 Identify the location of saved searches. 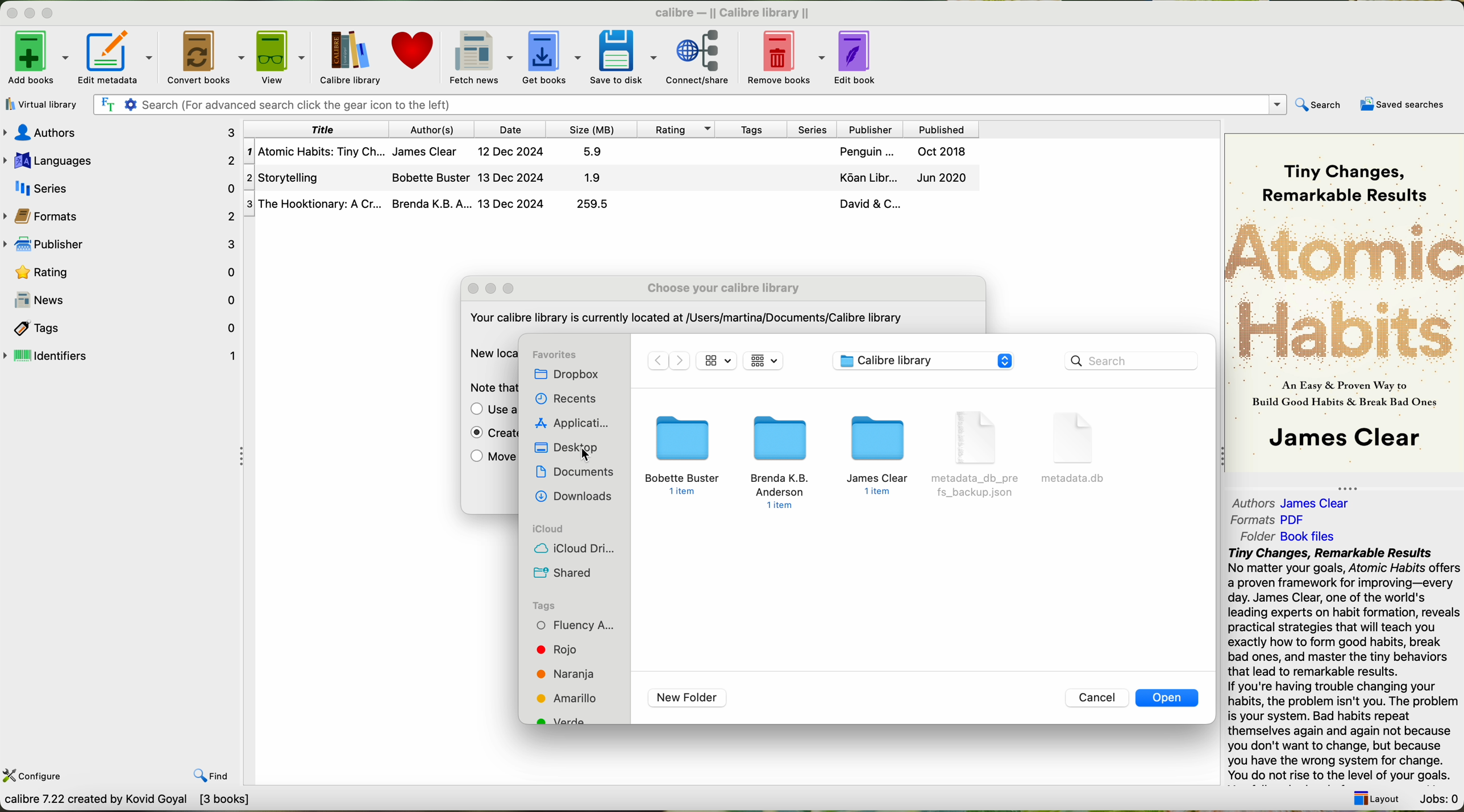
(1405, 105).